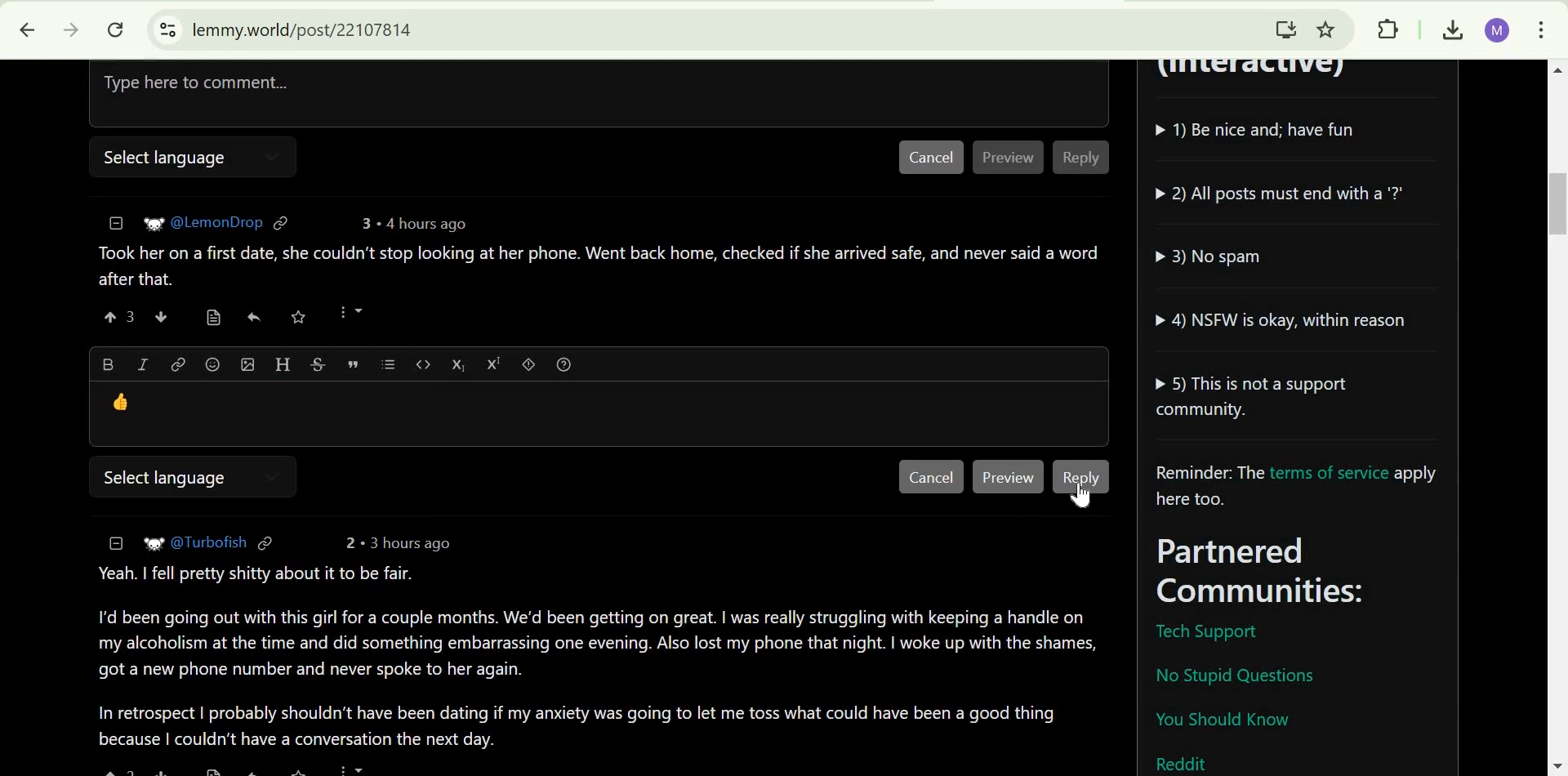  What do you see at coordinates (163, 477) in the screenshot?
I see `Select language` at bounding box center [163, 477].